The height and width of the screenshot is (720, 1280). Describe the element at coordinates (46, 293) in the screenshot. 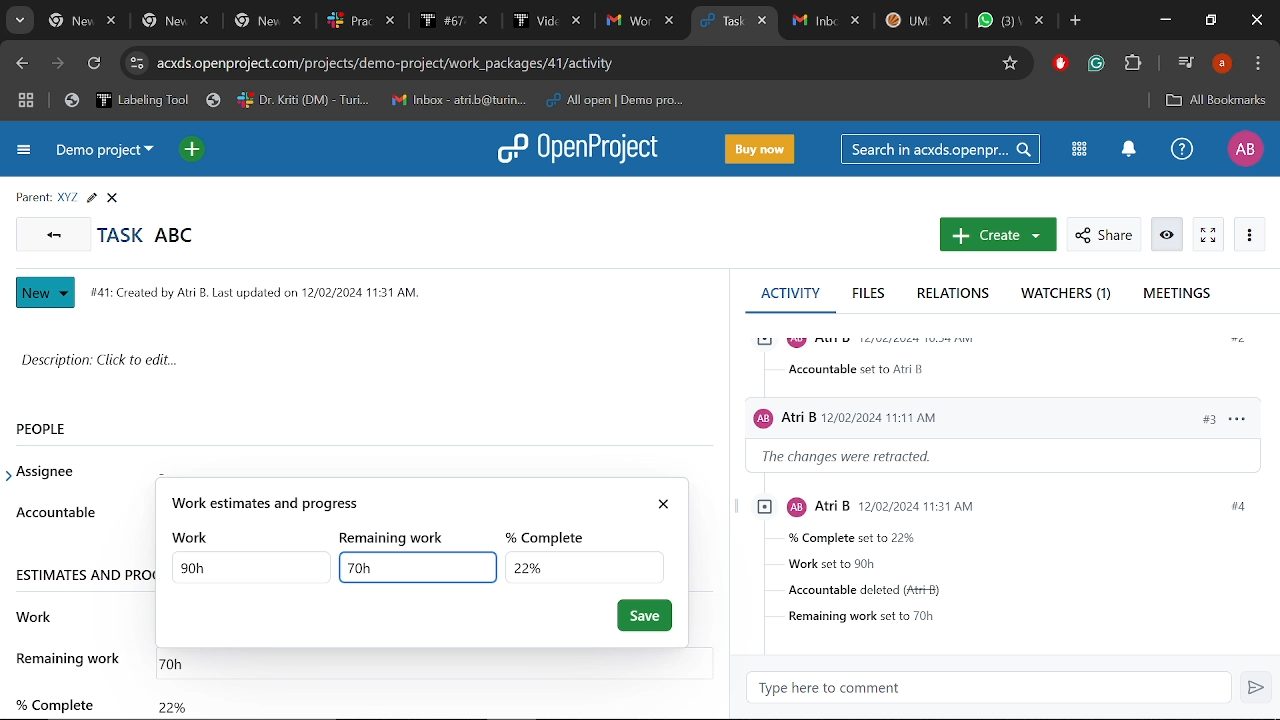

I see `Nwe` at that location.